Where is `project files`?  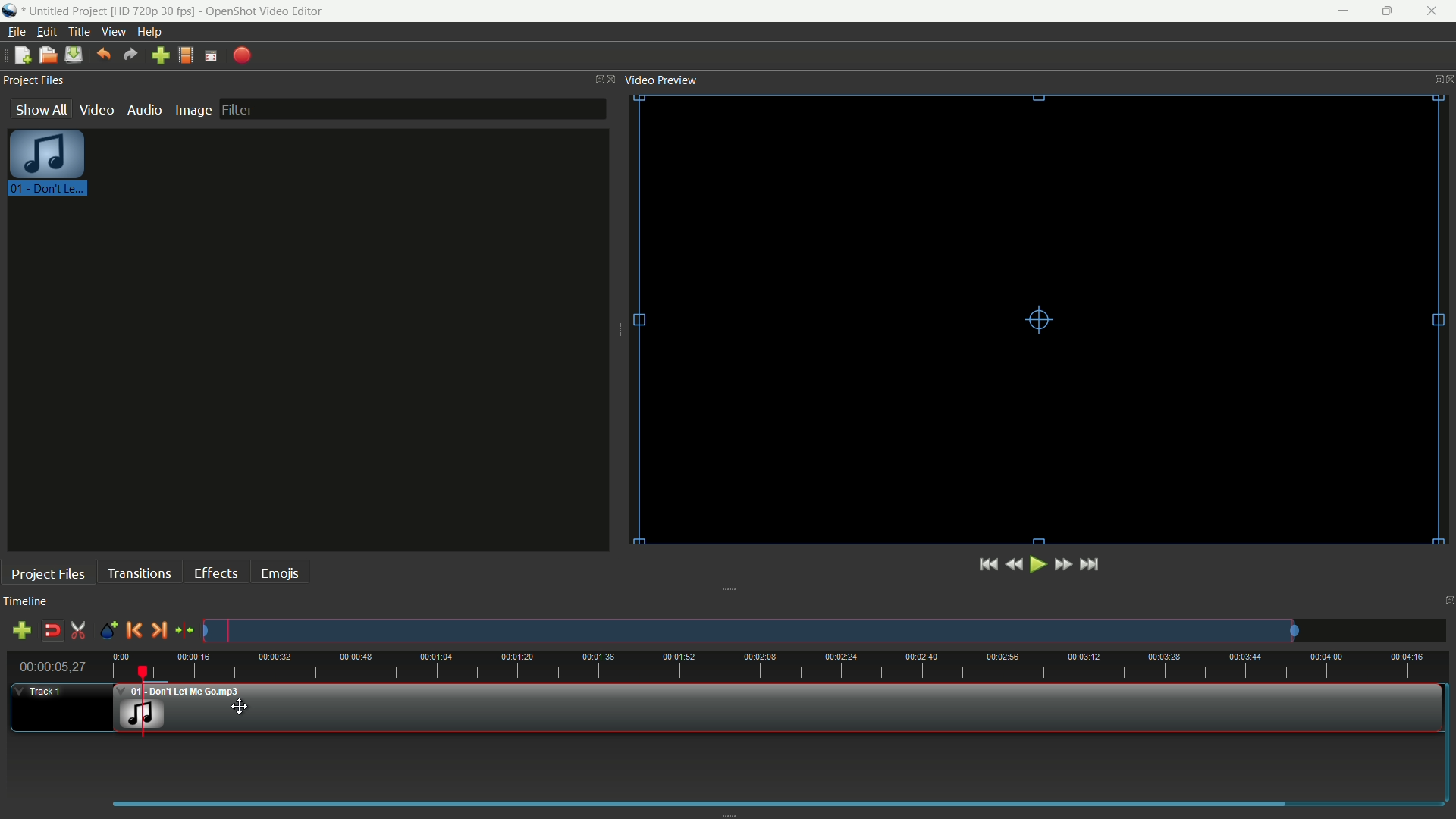 project files is located at coordinates (34, 81).